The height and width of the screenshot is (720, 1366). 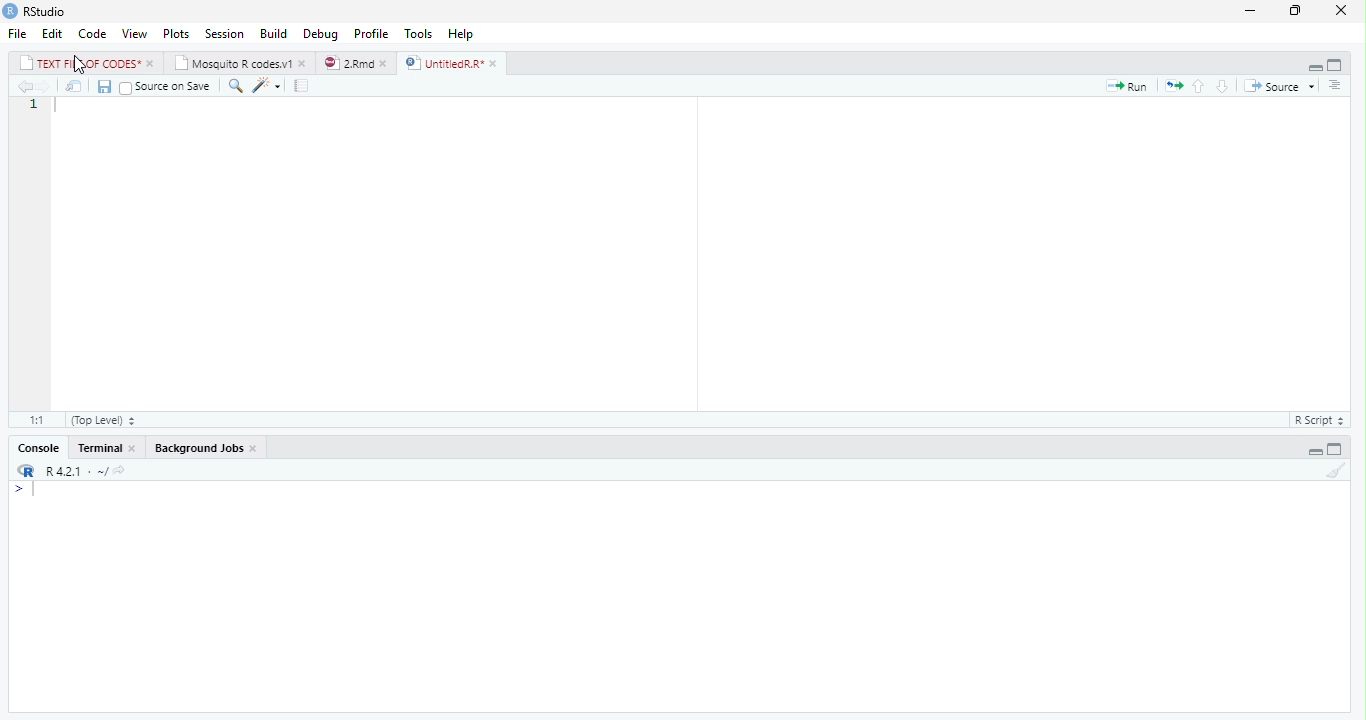 What do you see at coordinates (1312, 65) in the screenshot?
I see `Hide` at bounding box center [1312, 65].